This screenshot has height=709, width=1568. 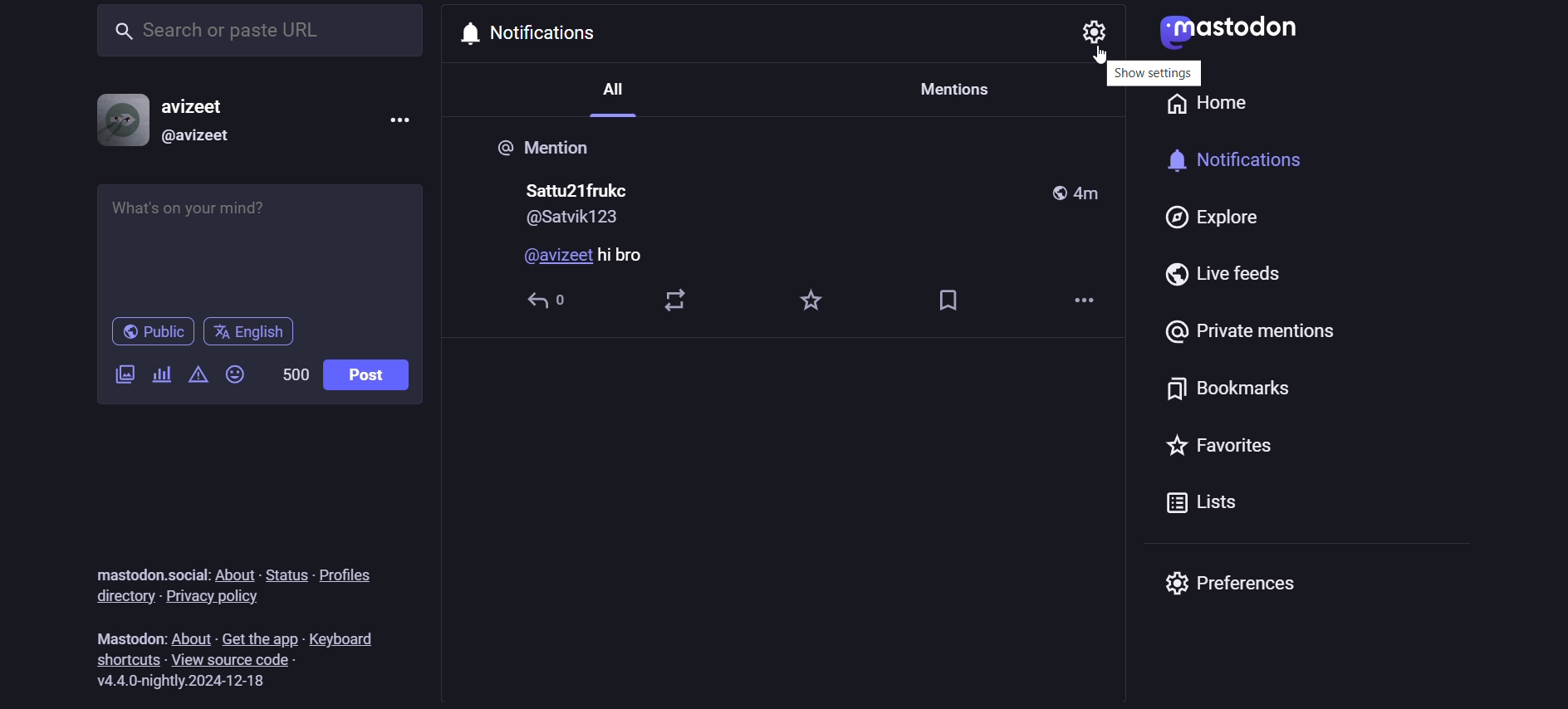 I want to click on settings, so click(x=1089, y=29).